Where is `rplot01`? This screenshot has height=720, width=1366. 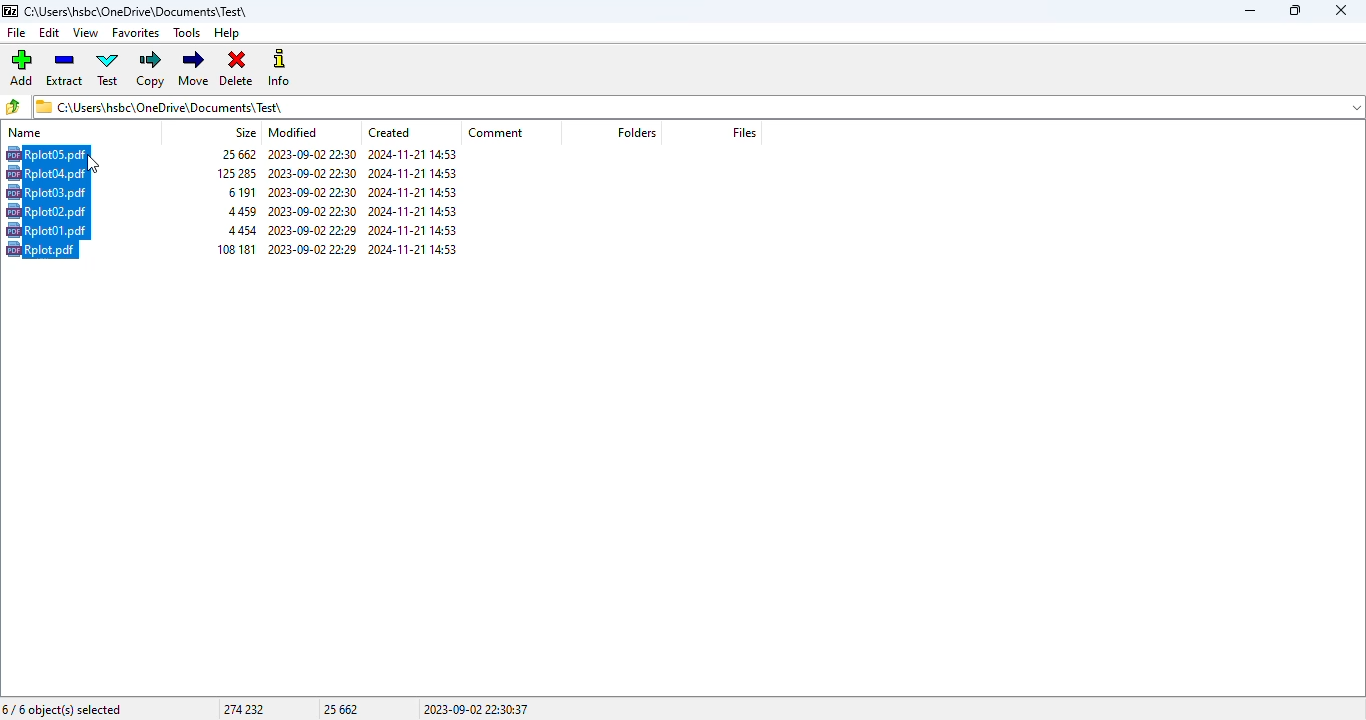
rplot01 is located at coordinates (47, 230).